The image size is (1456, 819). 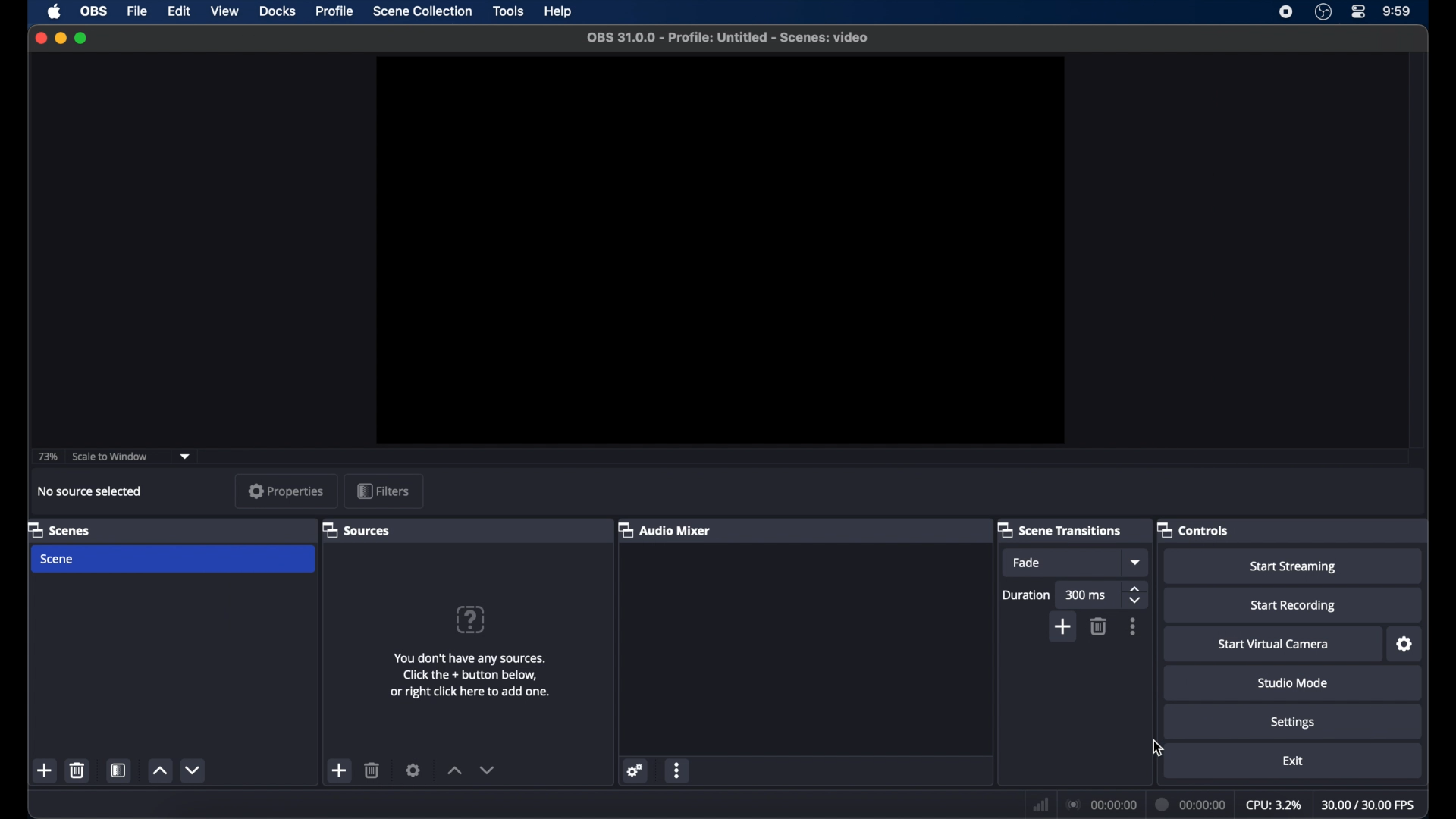 I want to click on add, so click(x=341, y=770).